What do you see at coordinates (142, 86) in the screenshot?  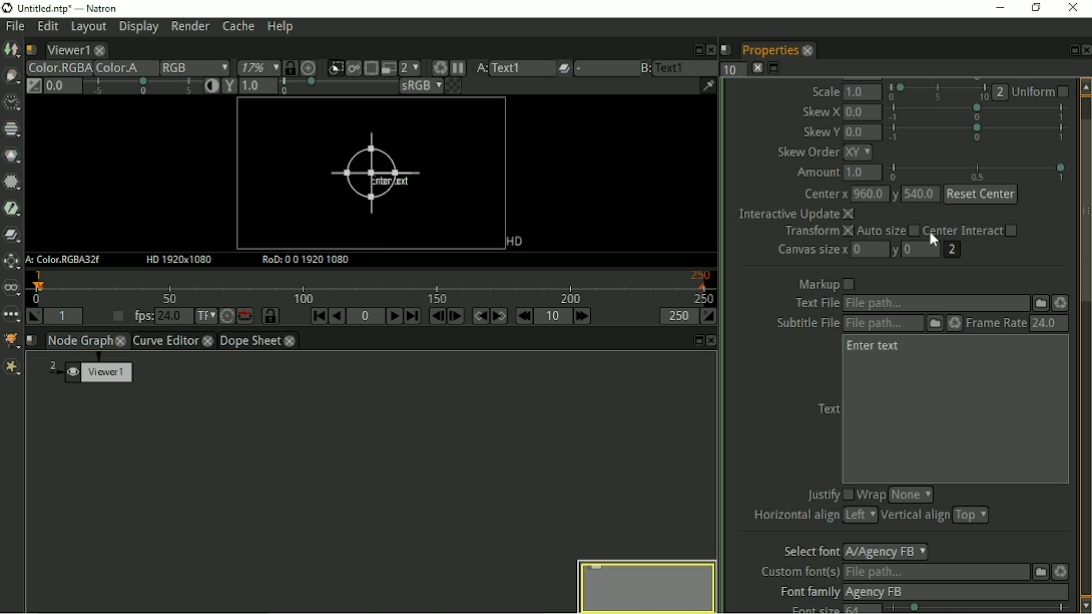 I see `selection bar` at bounding box center [142, 86].